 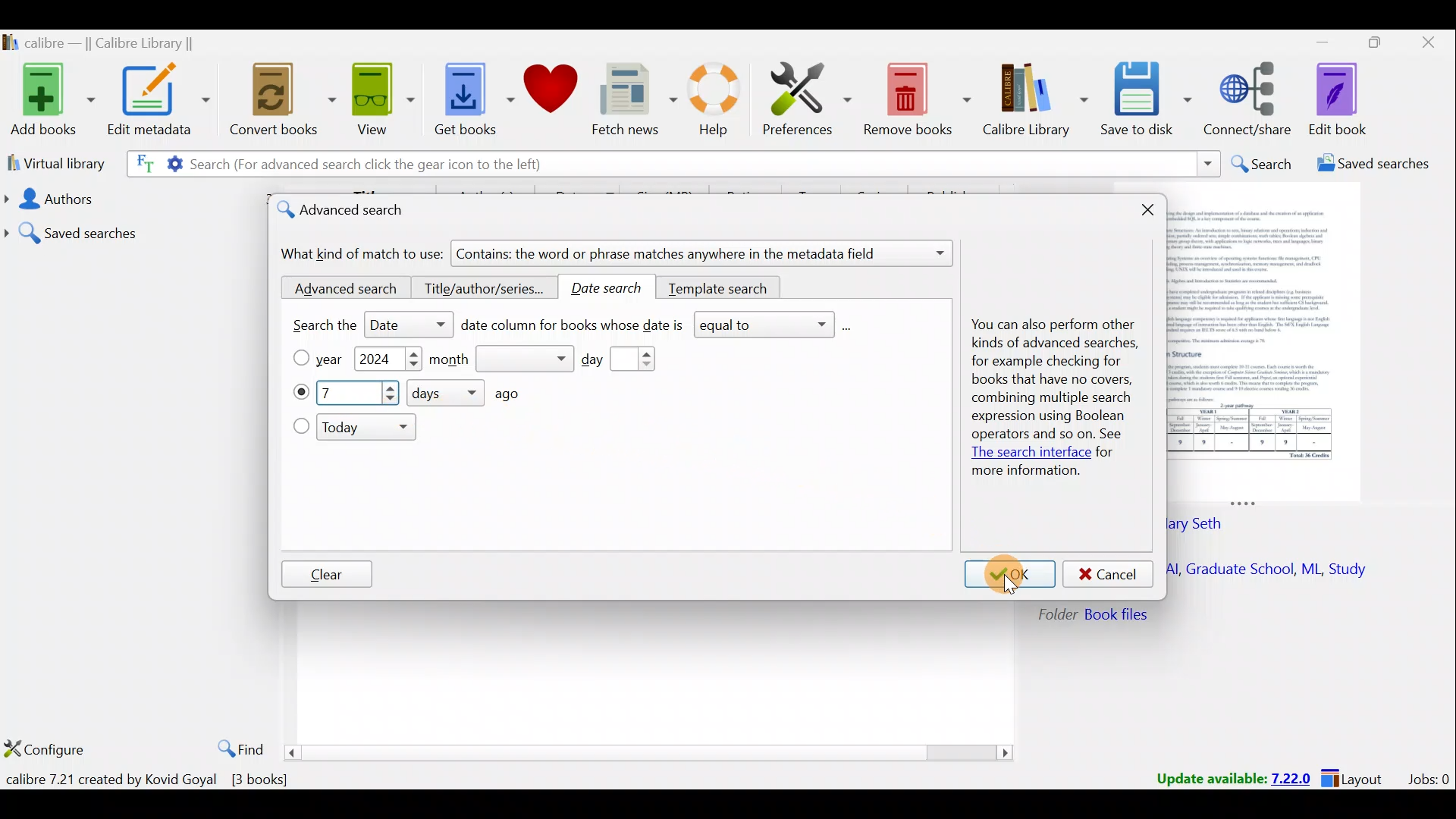 What do you see at coordinates (413, 354) in the screenshot?
I see `Increase` at bounding box center [413, 354].